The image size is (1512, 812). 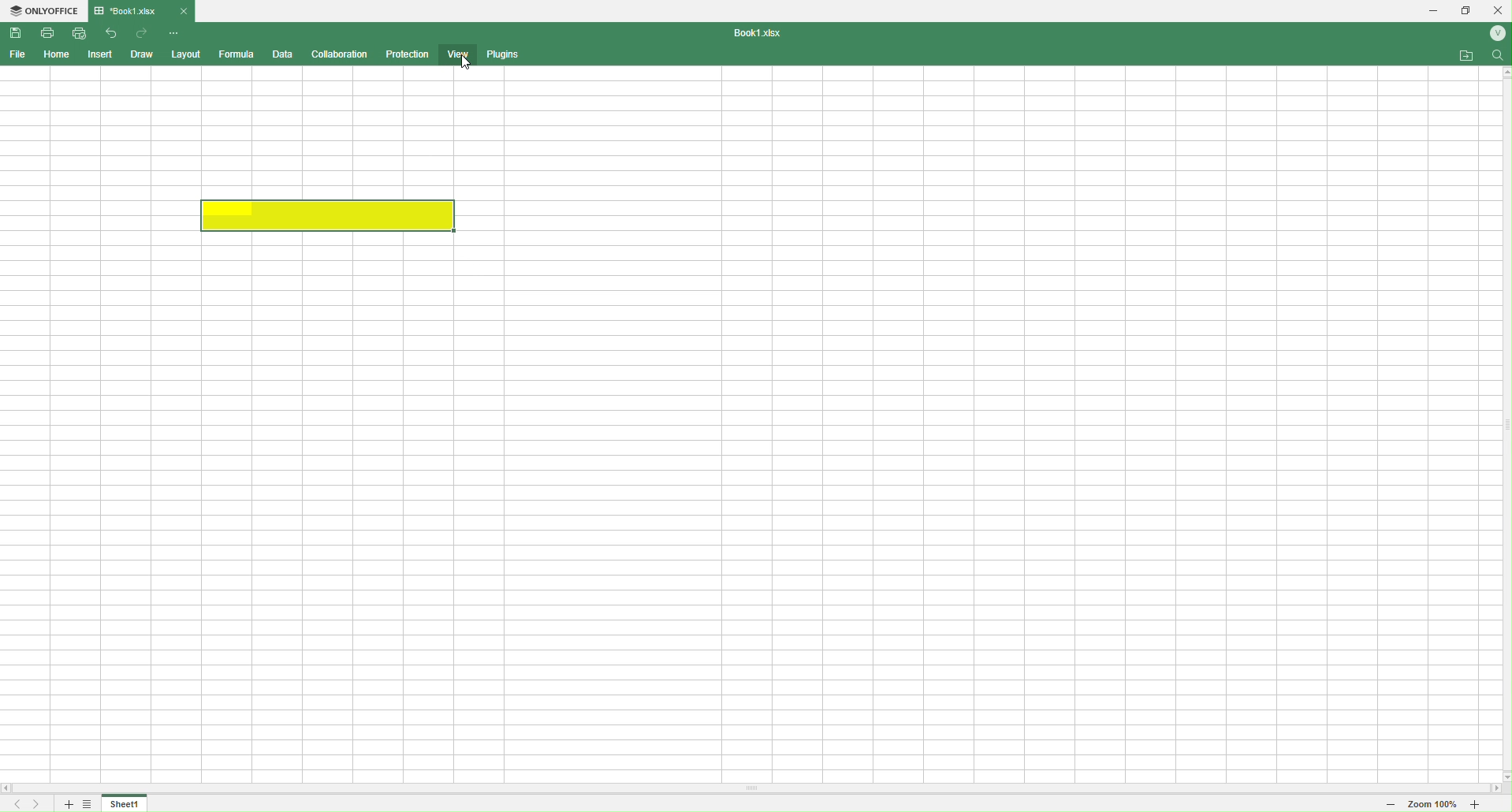 I want to click on Restore down, so click(x=1466, y=12).